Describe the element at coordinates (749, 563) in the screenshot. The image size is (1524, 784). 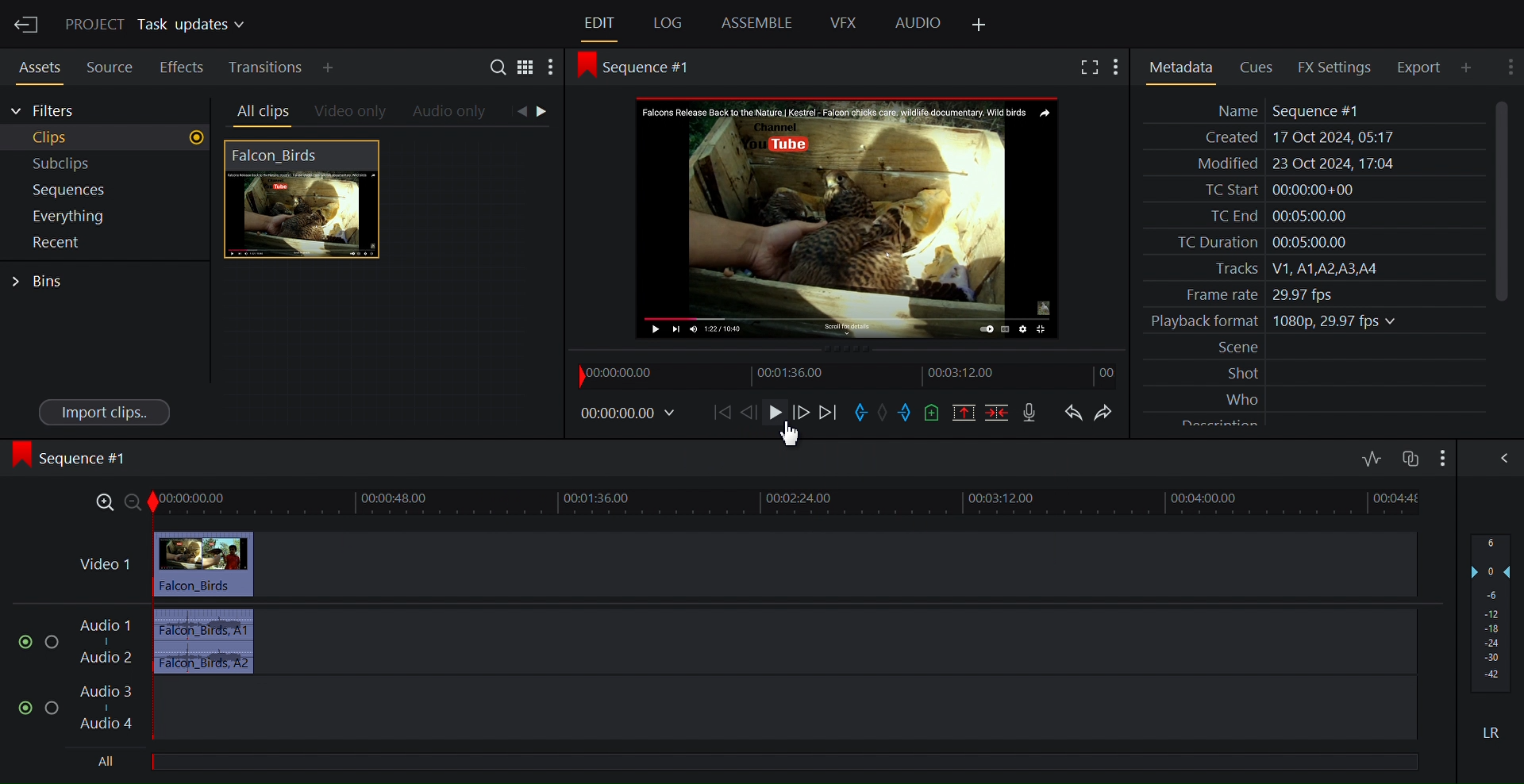
I see `Video track` at that location.